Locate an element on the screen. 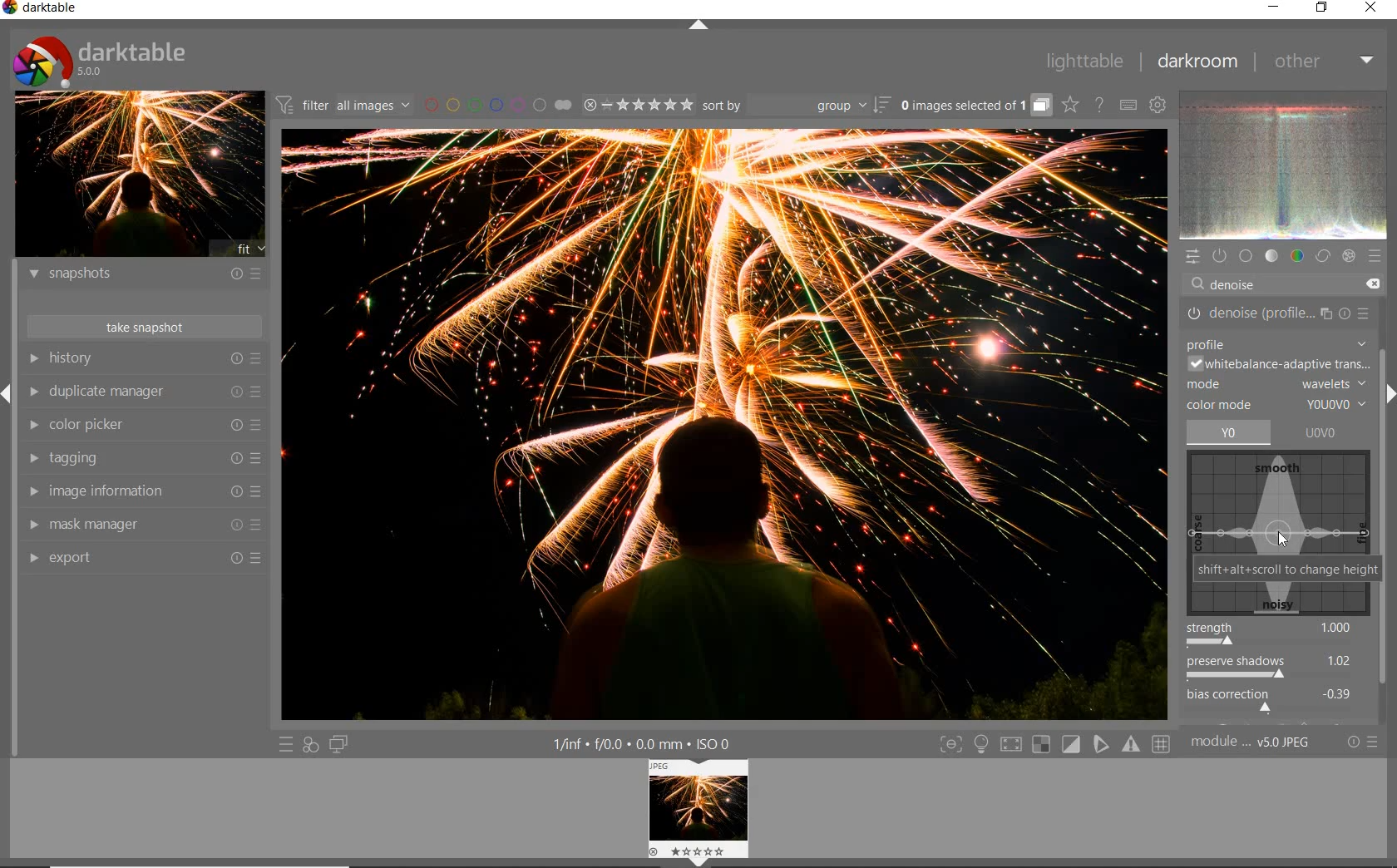 Image resolution: width=1397 pixels, height=868 pixels. tagging is located at coordinates (144, 460).